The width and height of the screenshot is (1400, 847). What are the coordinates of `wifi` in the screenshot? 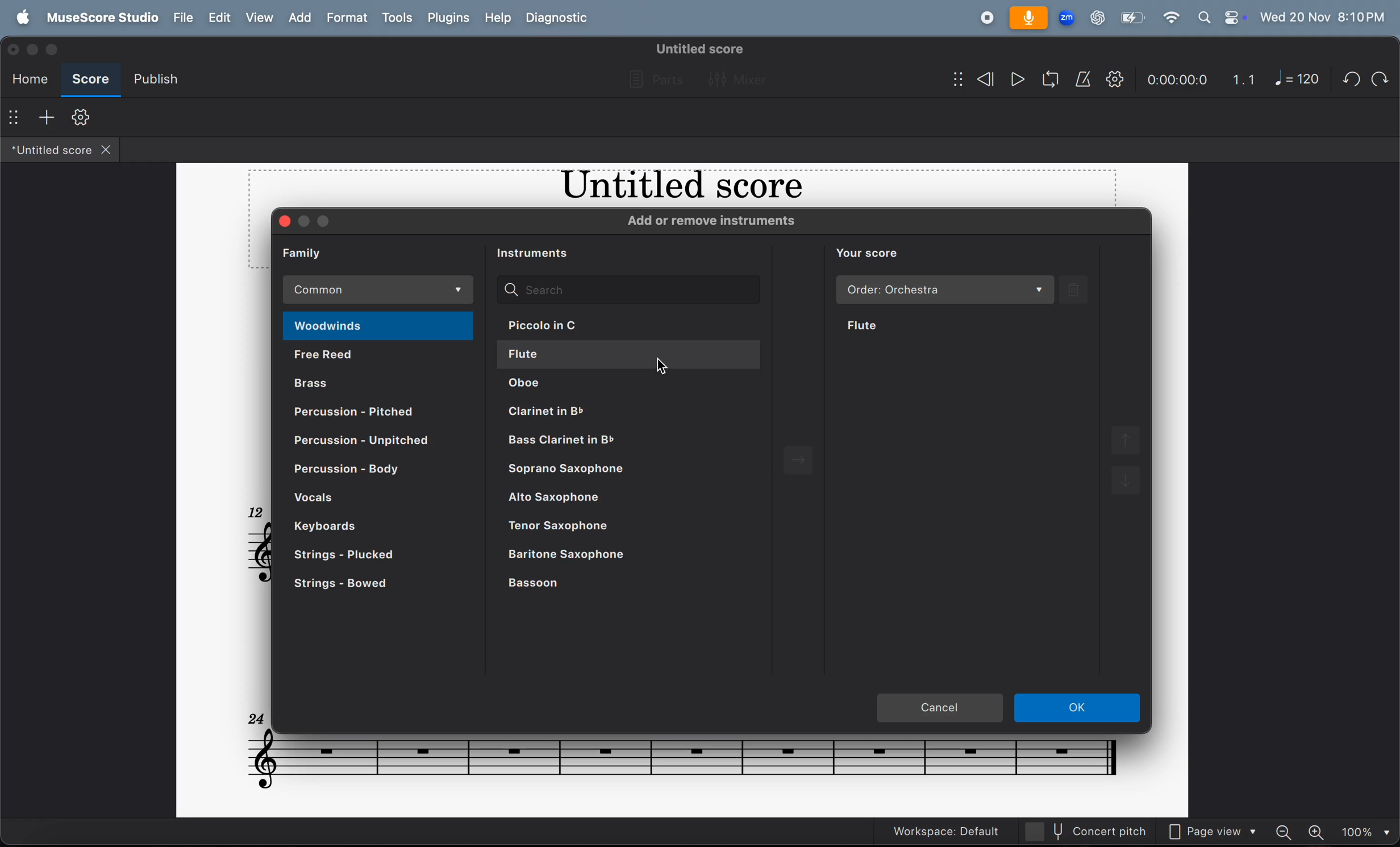 It's located at (1170, 17).